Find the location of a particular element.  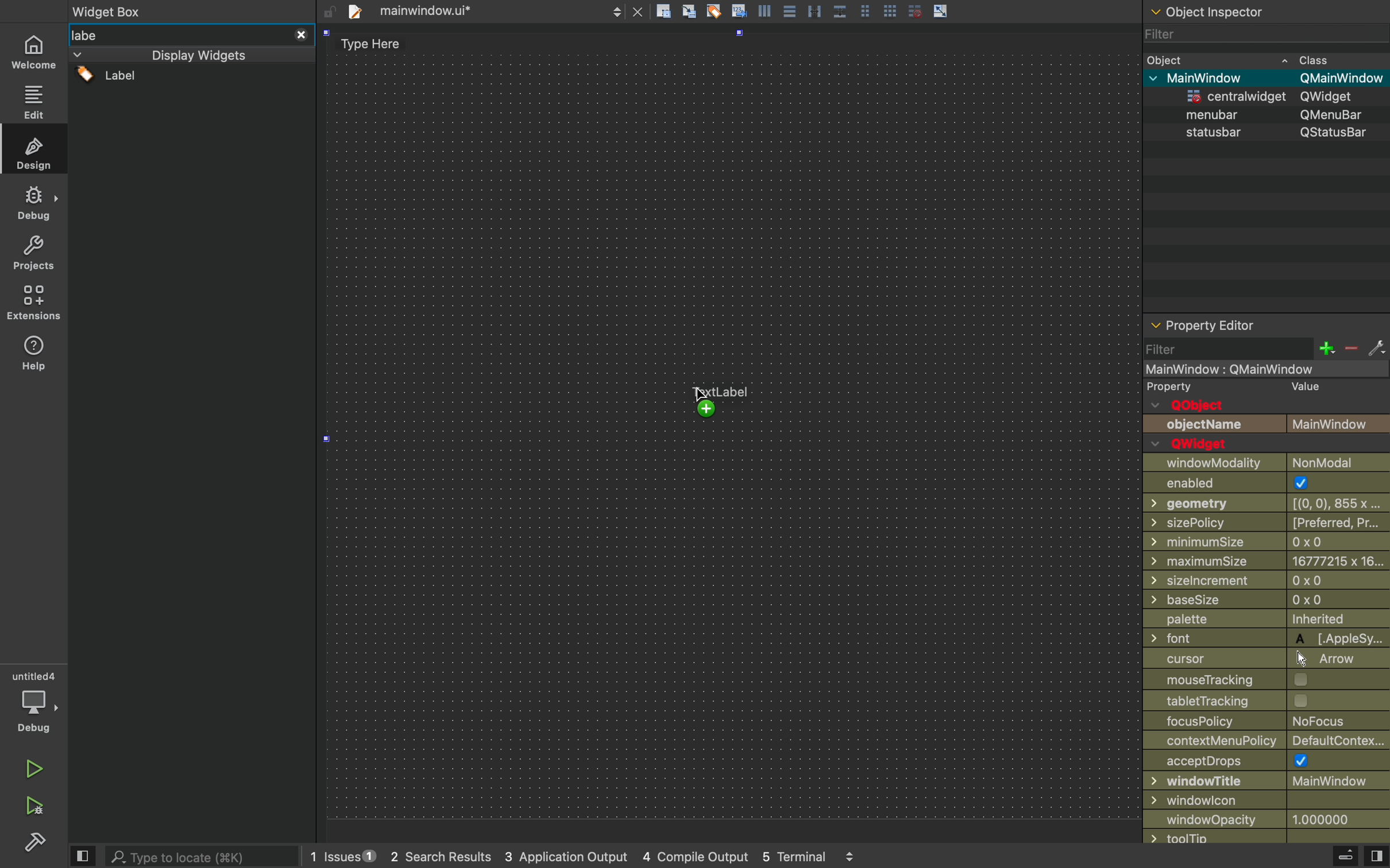

search  is located at coordinates (206, 855).